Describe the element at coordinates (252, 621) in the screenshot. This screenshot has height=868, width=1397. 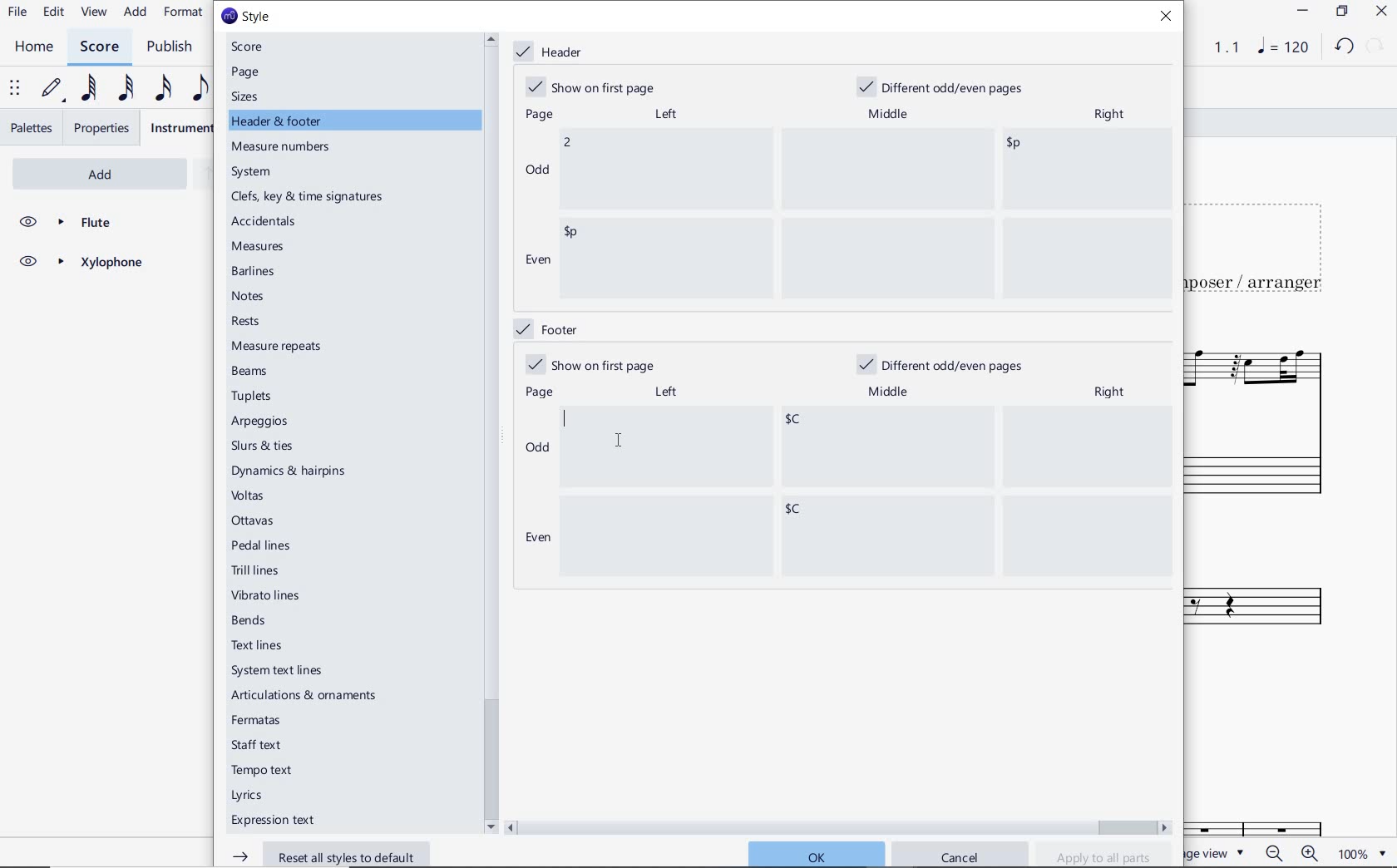
I see `bends` at that location.